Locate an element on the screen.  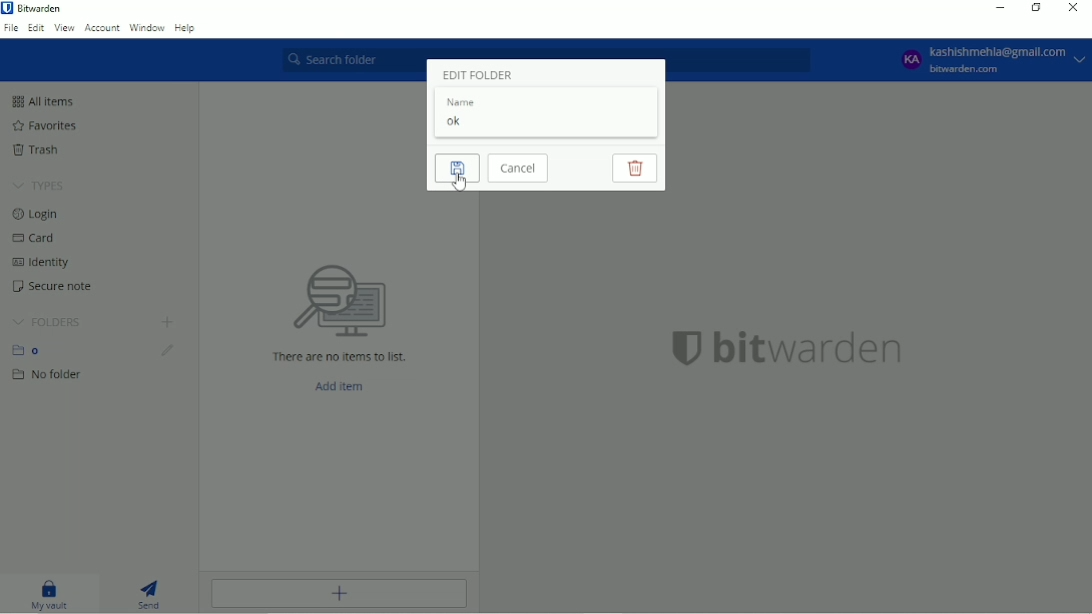
Save is located at coordinates (457, 168).